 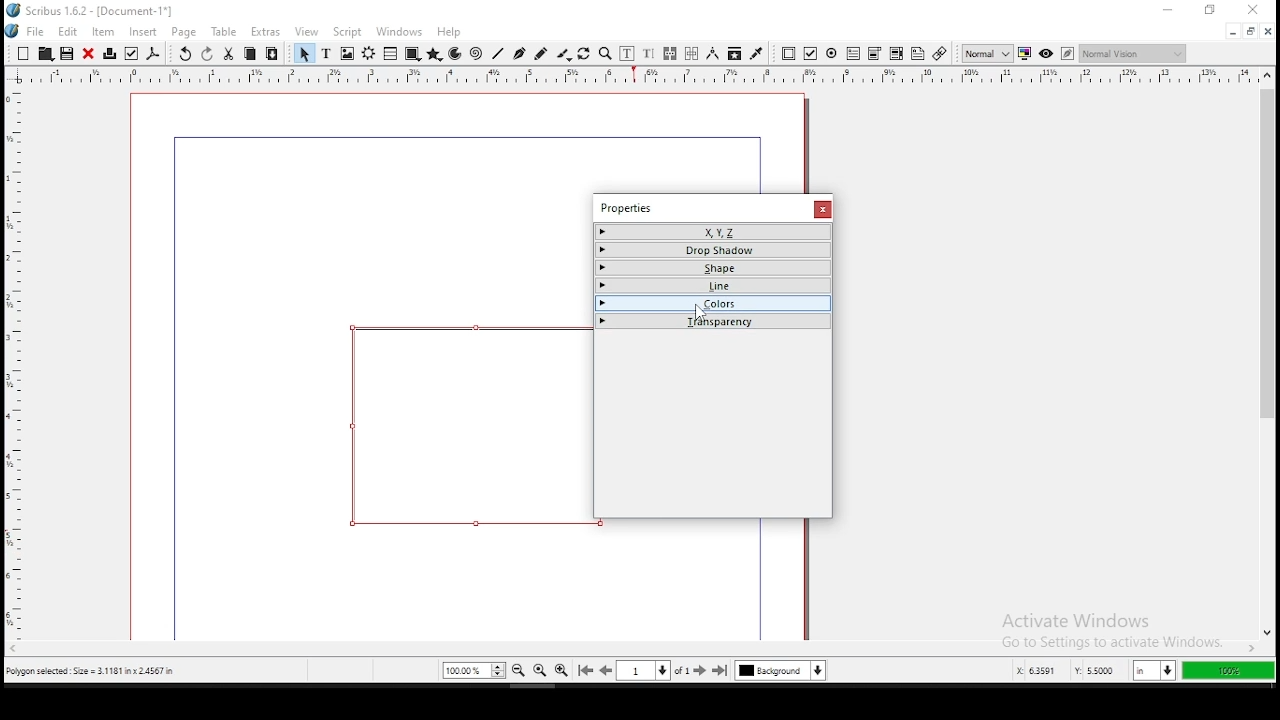 I want to click on shape, so click(x=464, y=426).